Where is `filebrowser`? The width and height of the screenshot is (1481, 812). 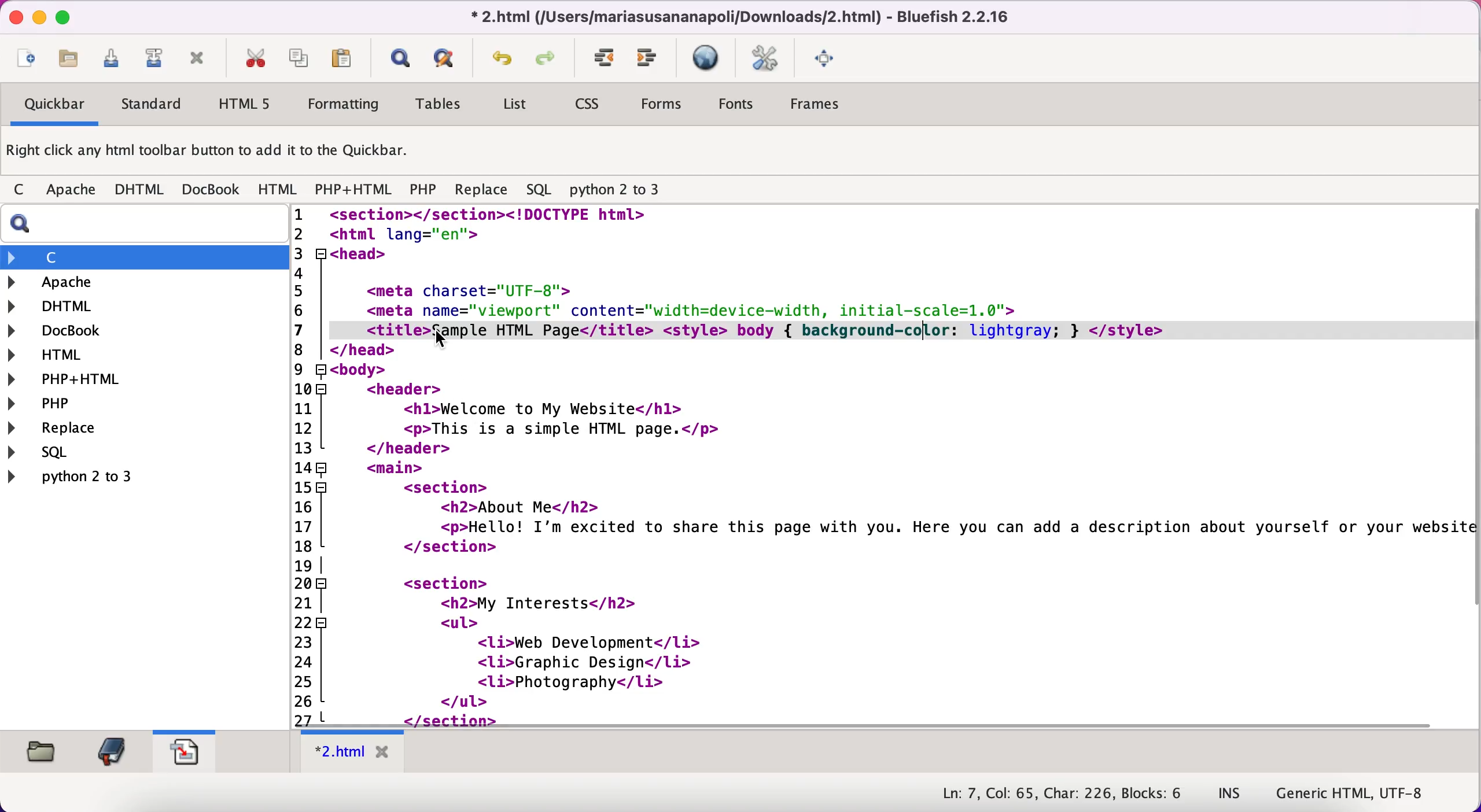 filebrowser is located at coordinates (43, 752).